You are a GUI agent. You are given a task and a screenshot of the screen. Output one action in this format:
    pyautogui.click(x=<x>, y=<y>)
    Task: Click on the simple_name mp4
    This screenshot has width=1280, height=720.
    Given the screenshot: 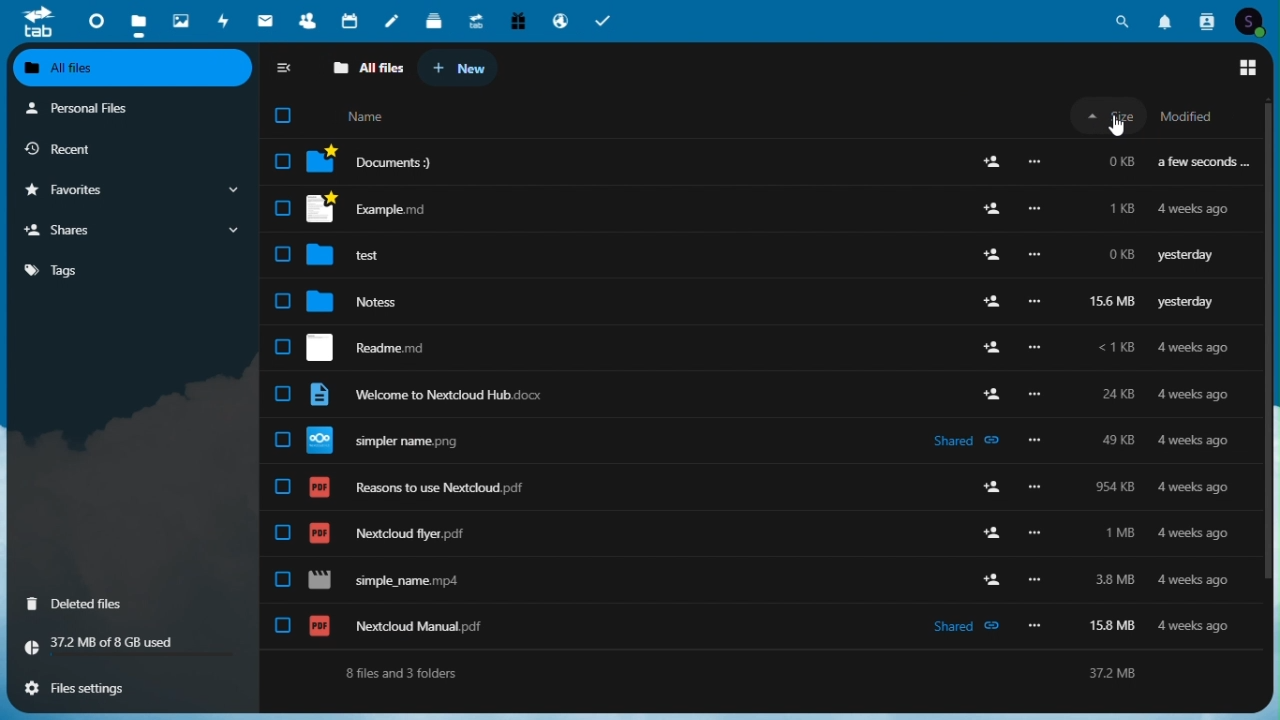 What is the action you would take?
    pyautogui.click(x=756, y=585)
    